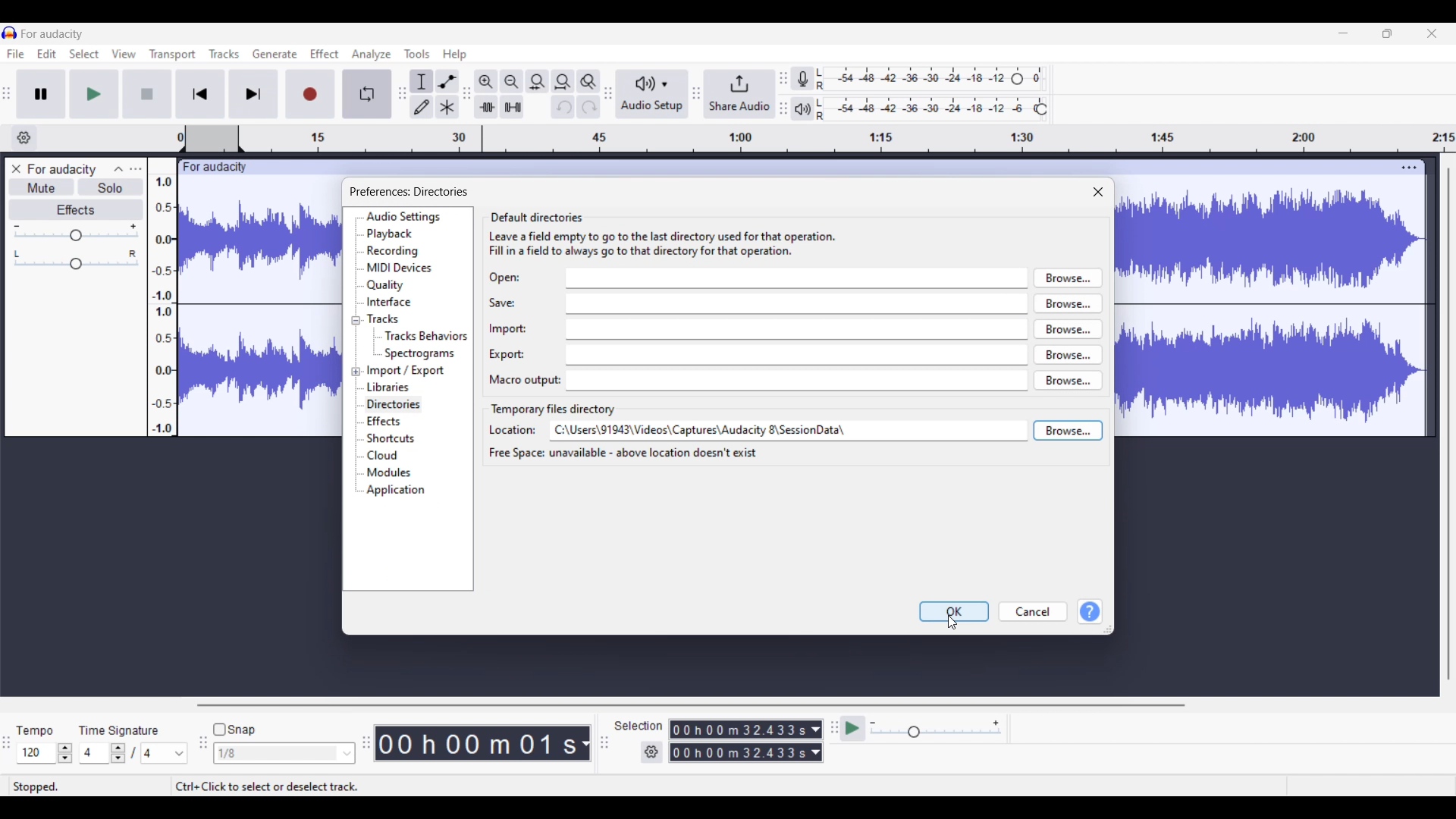 This screenshot has height=819, width=1456. I want to click on Input time signature, so click(94, 753).